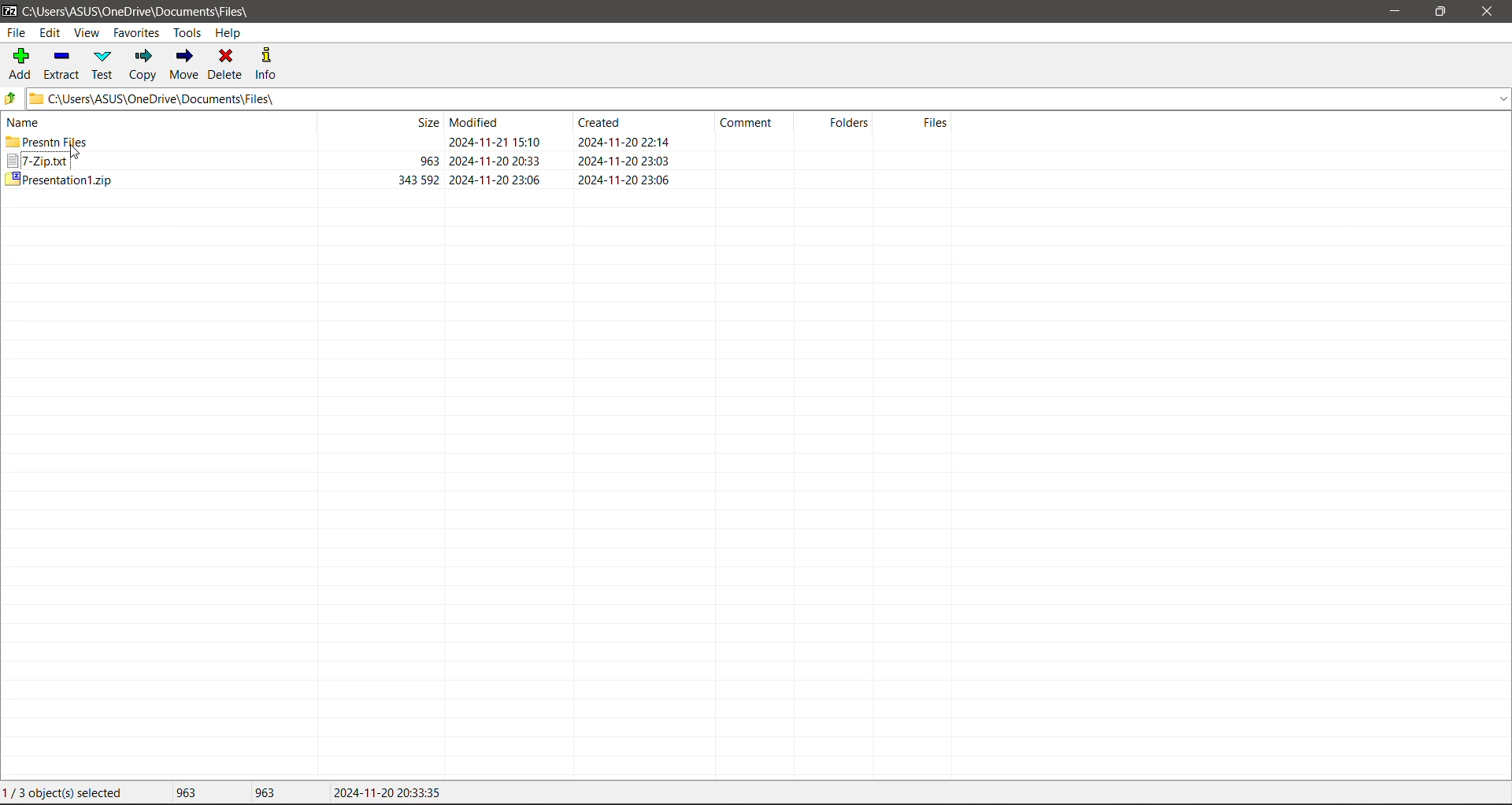 The width and height of the screenshot is (1512, 805). What do you see at coordinates (1488, 12) in the screenshot?
I see `Close` at bounding box center [1488, 12].